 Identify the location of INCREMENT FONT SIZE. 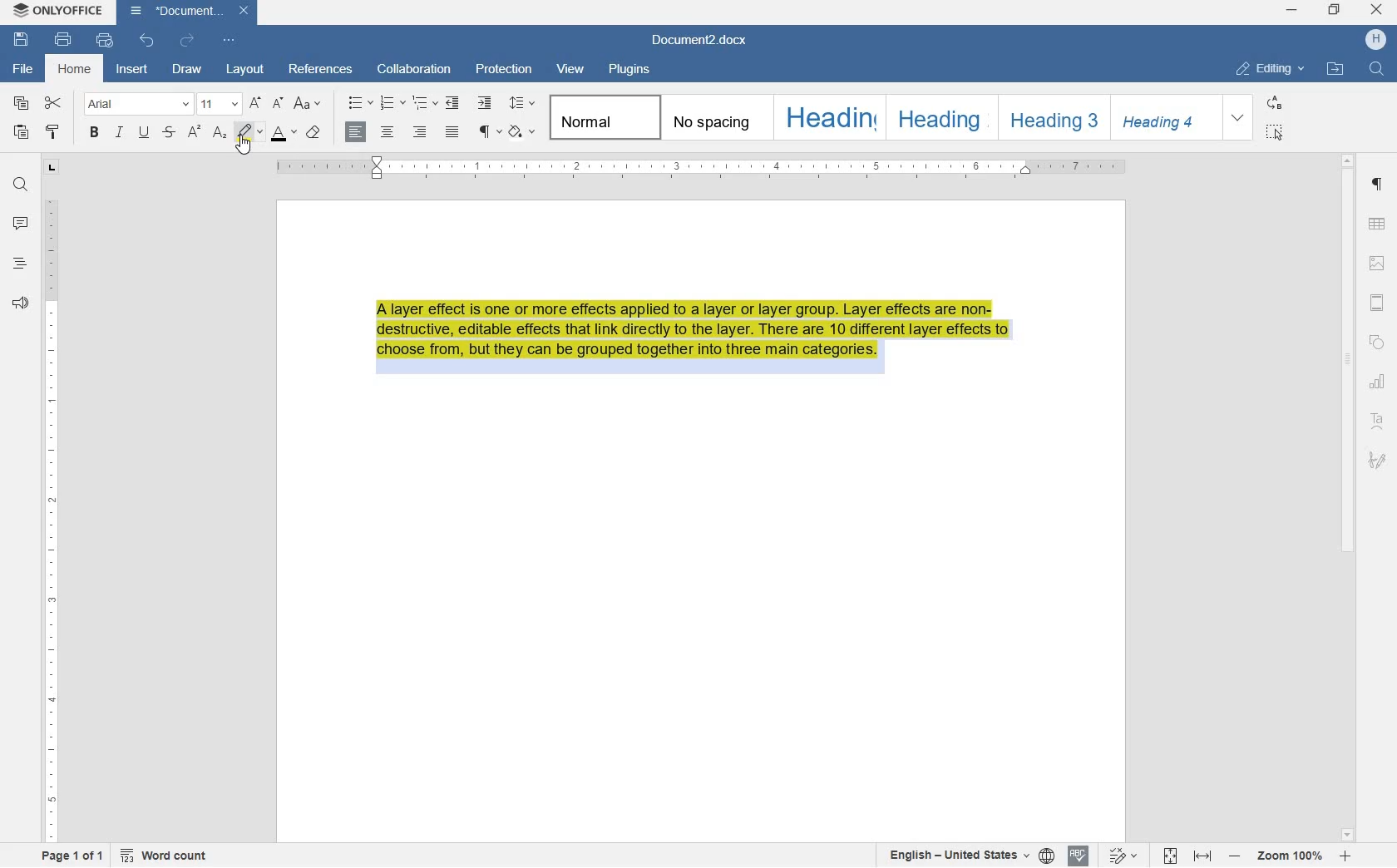
(254, 104).